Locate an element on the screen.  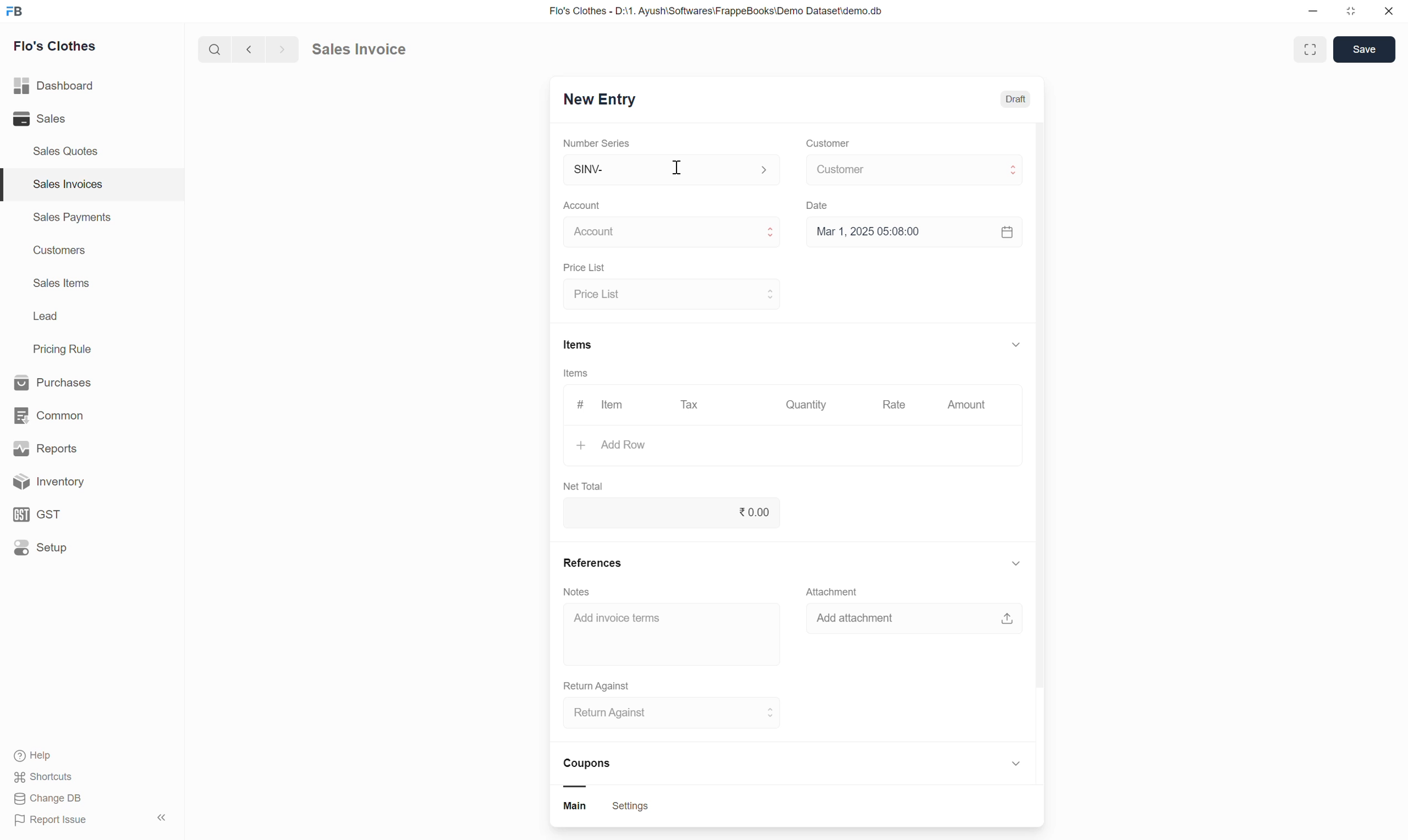
minimize  is located at coordinates (1318, 12).